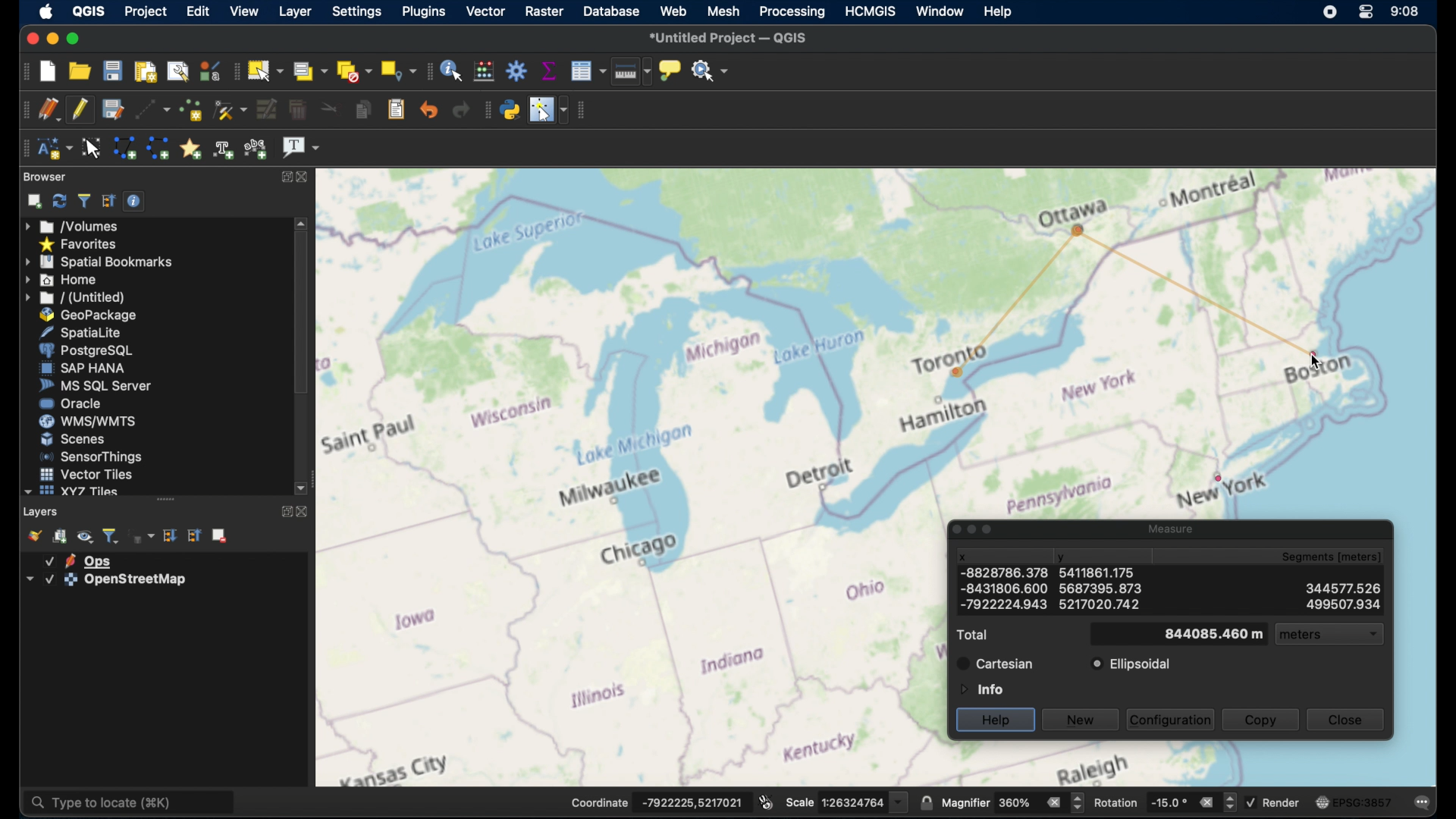 Image resolution: width=1456 pixels, height=819 pixels. I want to click on cursor, so click(1316, 365).